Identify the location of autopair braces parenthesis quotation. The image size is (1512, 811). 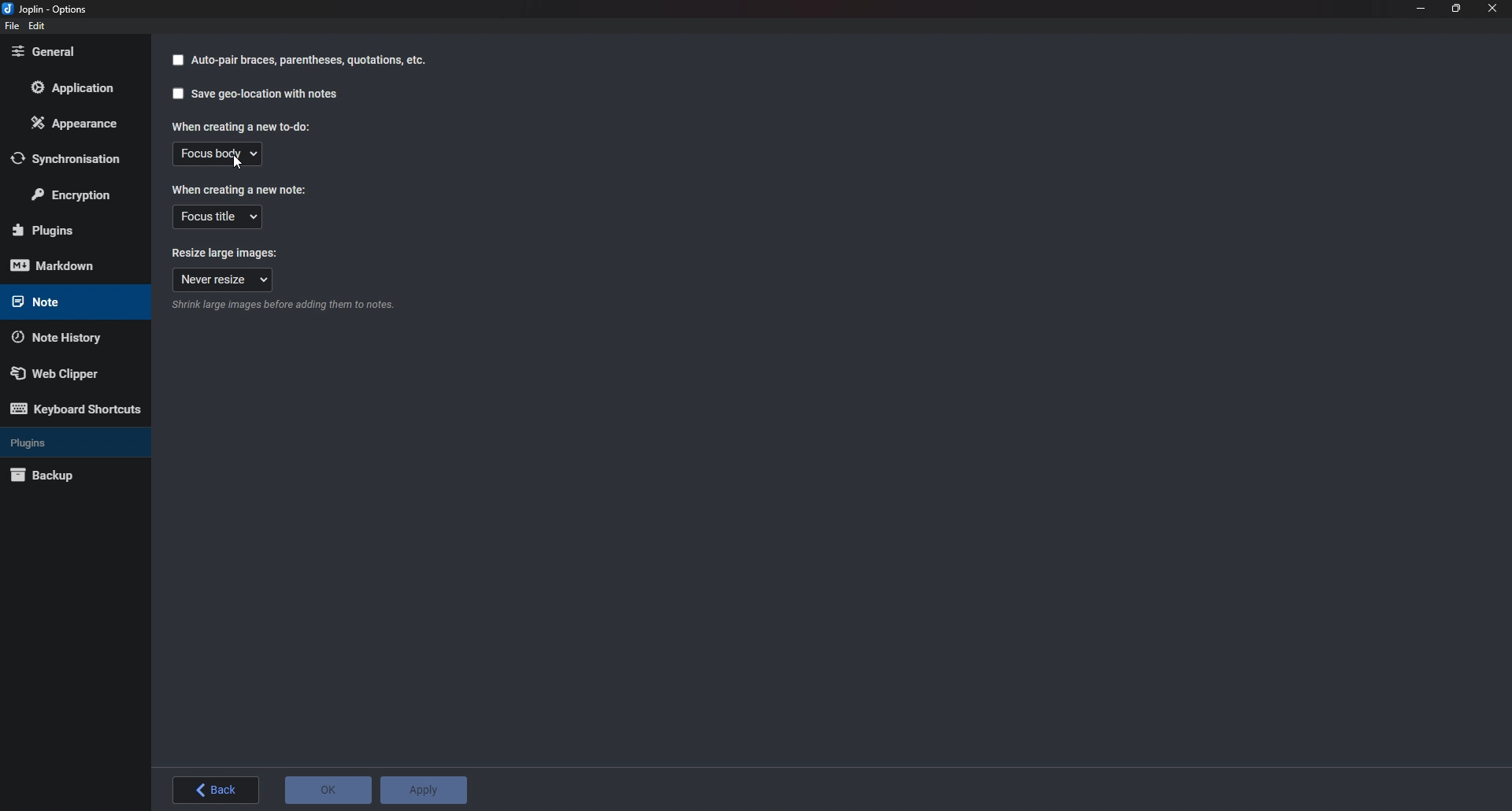
(310, 62).